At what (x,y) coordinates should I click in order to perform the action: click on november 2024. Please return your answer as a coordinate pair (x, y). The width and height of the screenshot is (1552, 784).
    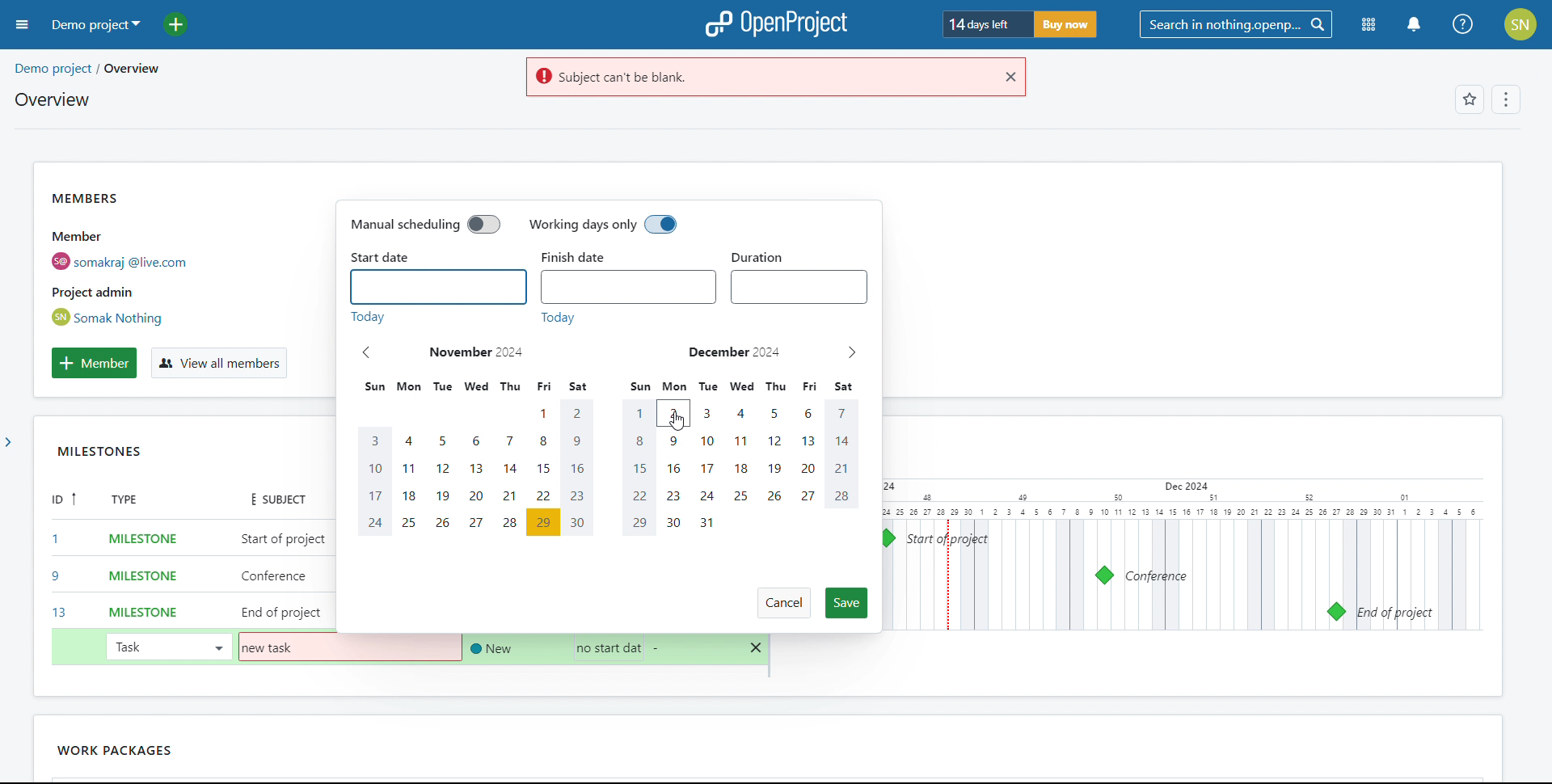
    Looking at the image, I should click on (478, 352).